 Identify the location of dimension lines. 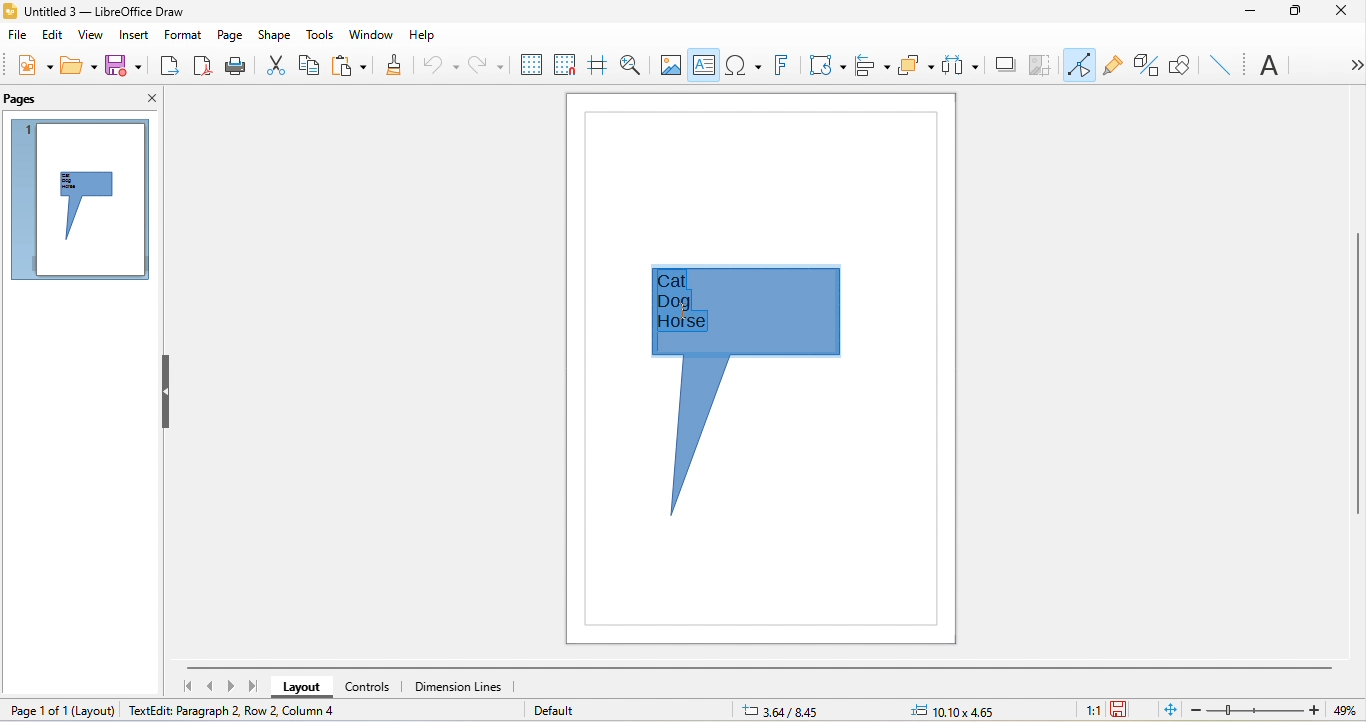
(462, 687).